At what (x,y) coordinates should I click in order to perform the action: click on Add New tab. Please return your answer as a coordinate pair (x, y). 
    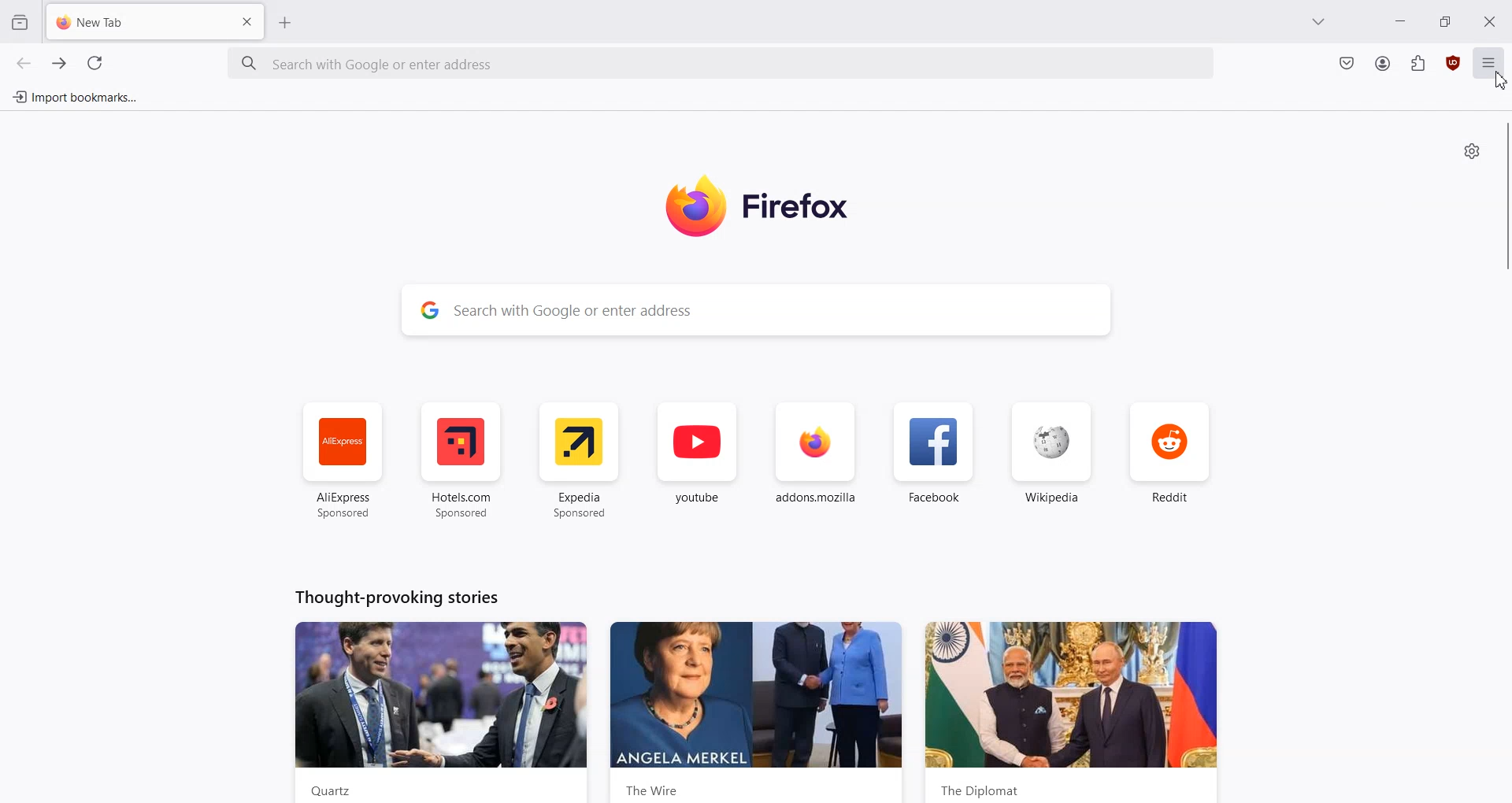
    Looking at the image, I should click on (285, 23).